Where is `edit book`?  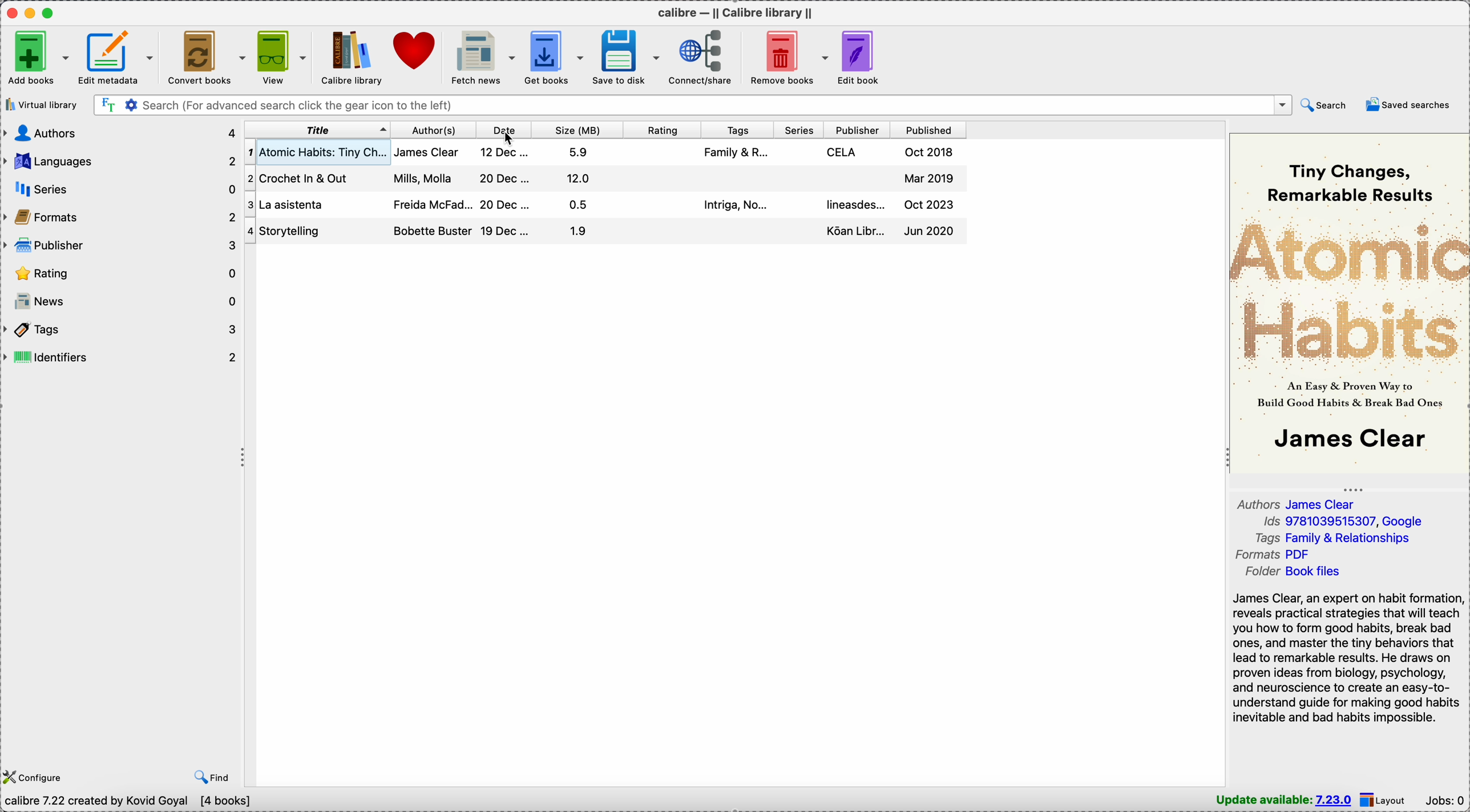
edit book is located at coordinates (860, 58).